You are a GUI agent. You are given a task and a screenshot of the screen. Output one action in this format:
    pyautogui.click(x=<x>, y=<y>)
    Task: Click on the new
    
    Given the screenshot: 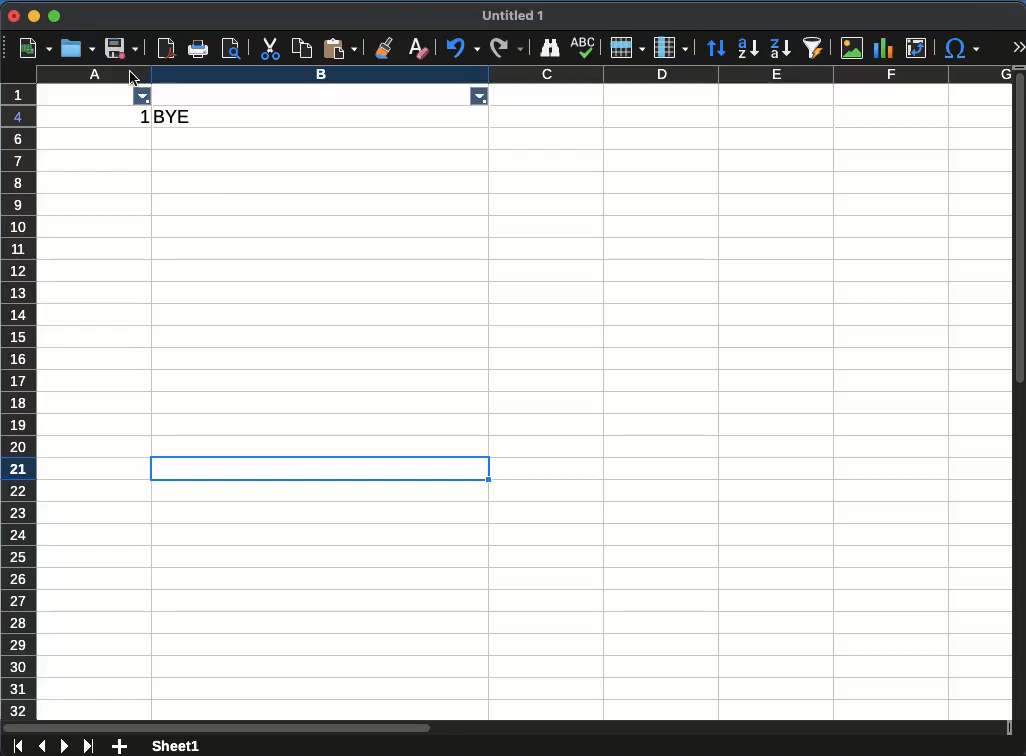 What is the action you would take?
    pyautogui.click(x=36, y=47)
    